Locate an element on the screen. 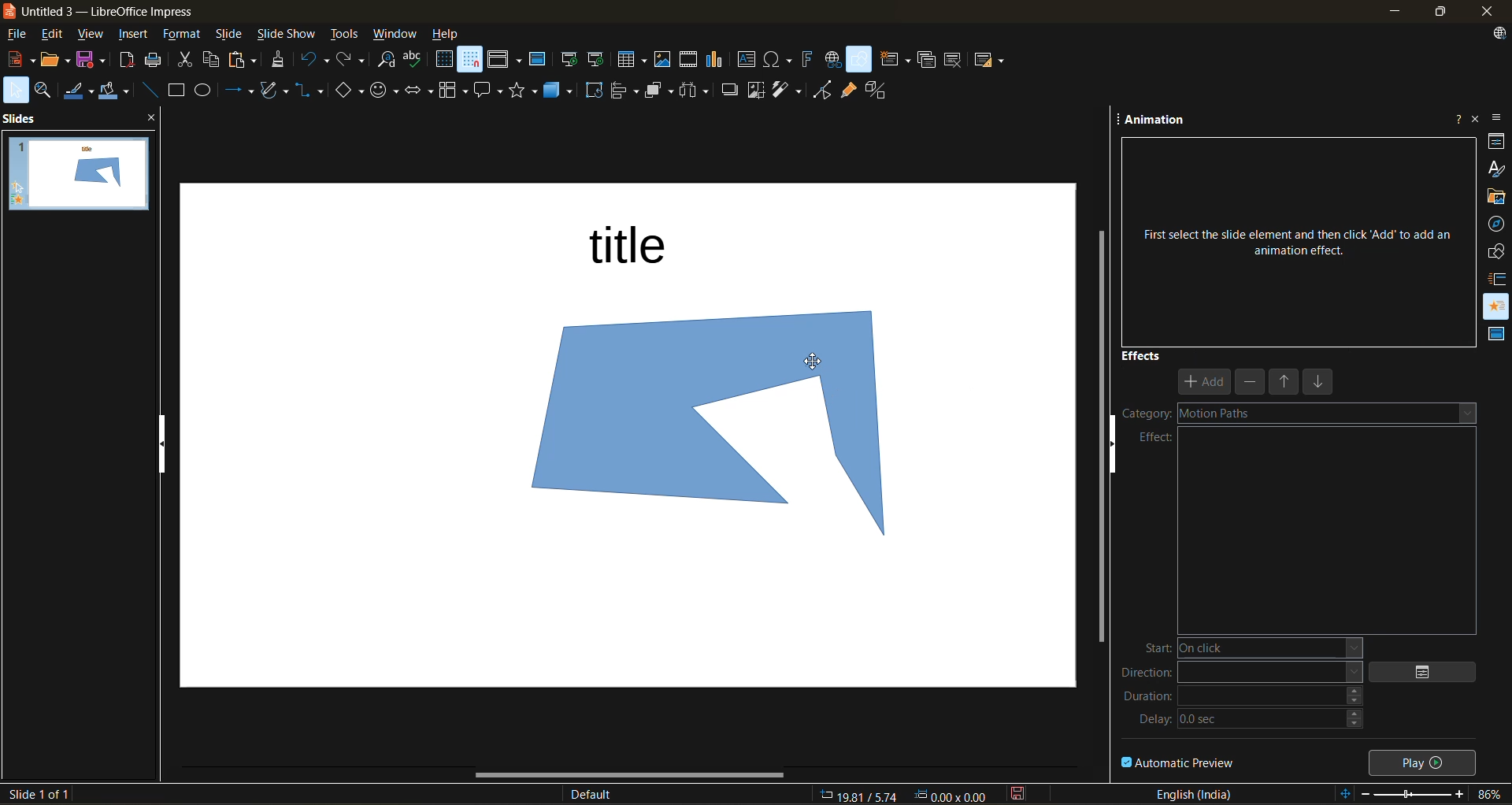 The image size is (1512, 805). select is located at coordinates (17, 90).